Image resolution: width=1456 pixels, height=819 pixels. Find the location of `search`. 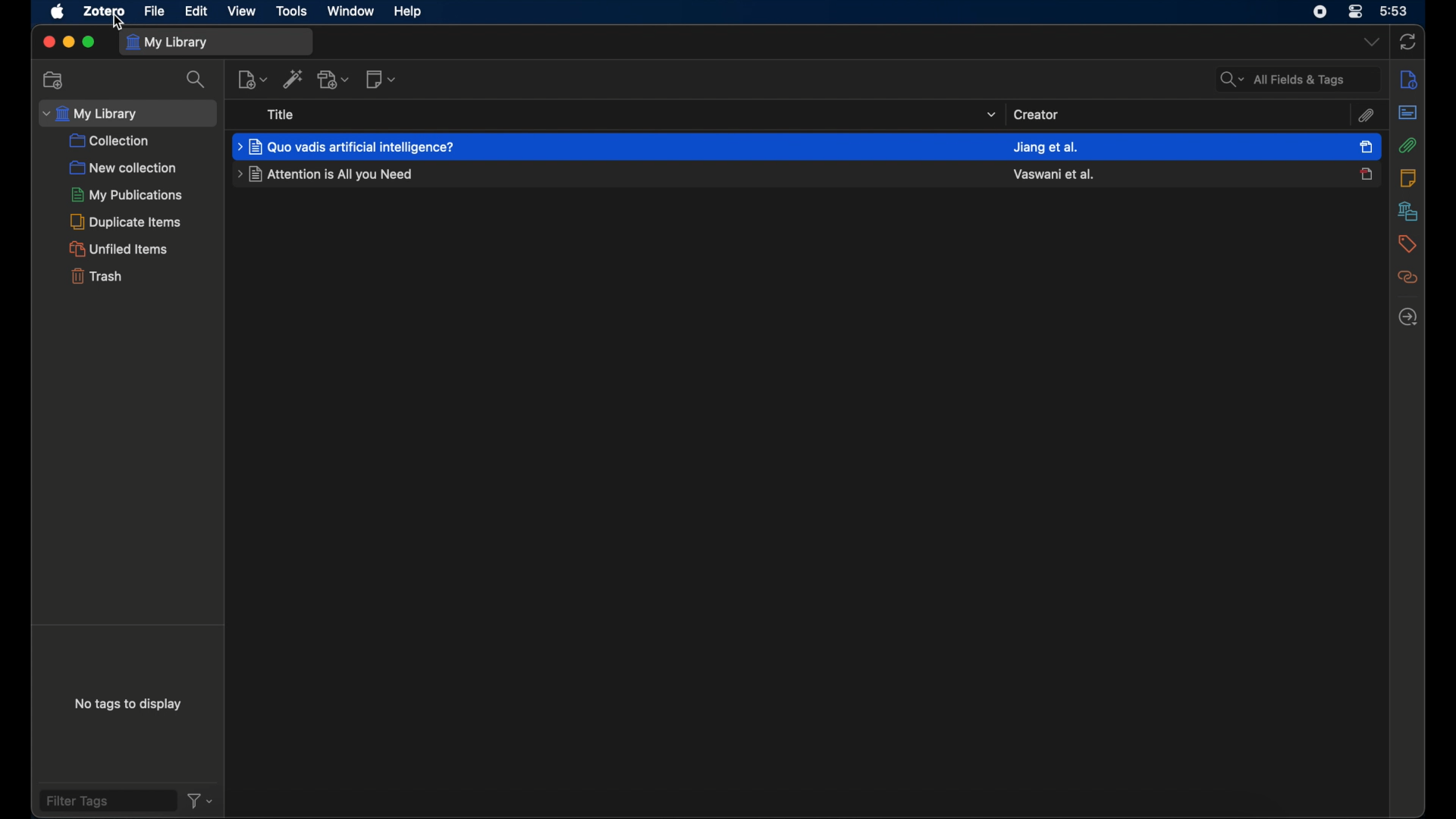

search is located at coordinates (196, 80).